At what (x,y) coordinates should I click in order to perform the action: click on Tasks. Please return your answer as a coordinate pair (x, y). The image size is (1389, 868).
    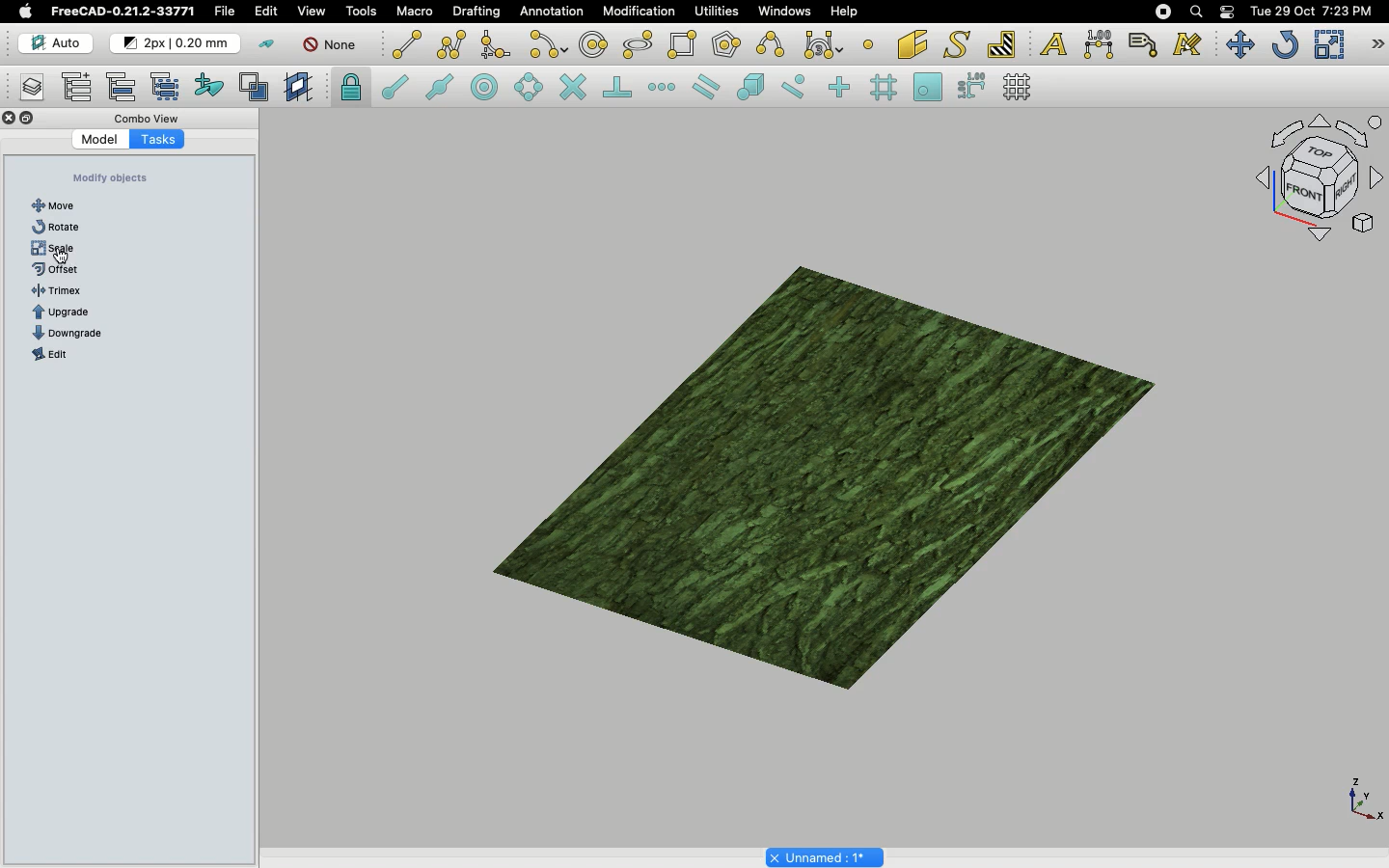
    Looking at the image, I should click on (156, 138).